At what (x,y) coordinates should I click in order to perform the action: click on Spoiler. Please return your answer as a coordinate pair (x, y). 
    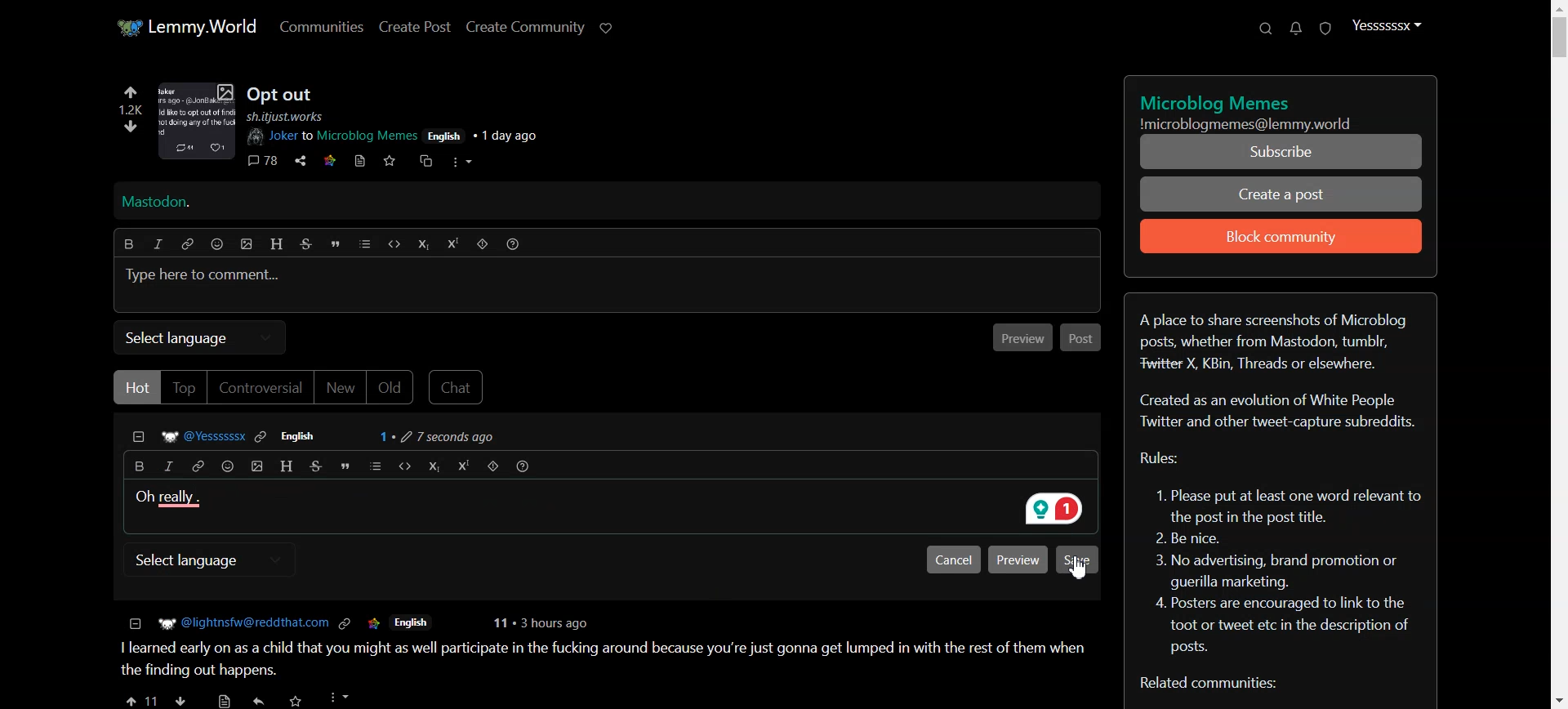
    Looking at the image, I should click on (483, 244).